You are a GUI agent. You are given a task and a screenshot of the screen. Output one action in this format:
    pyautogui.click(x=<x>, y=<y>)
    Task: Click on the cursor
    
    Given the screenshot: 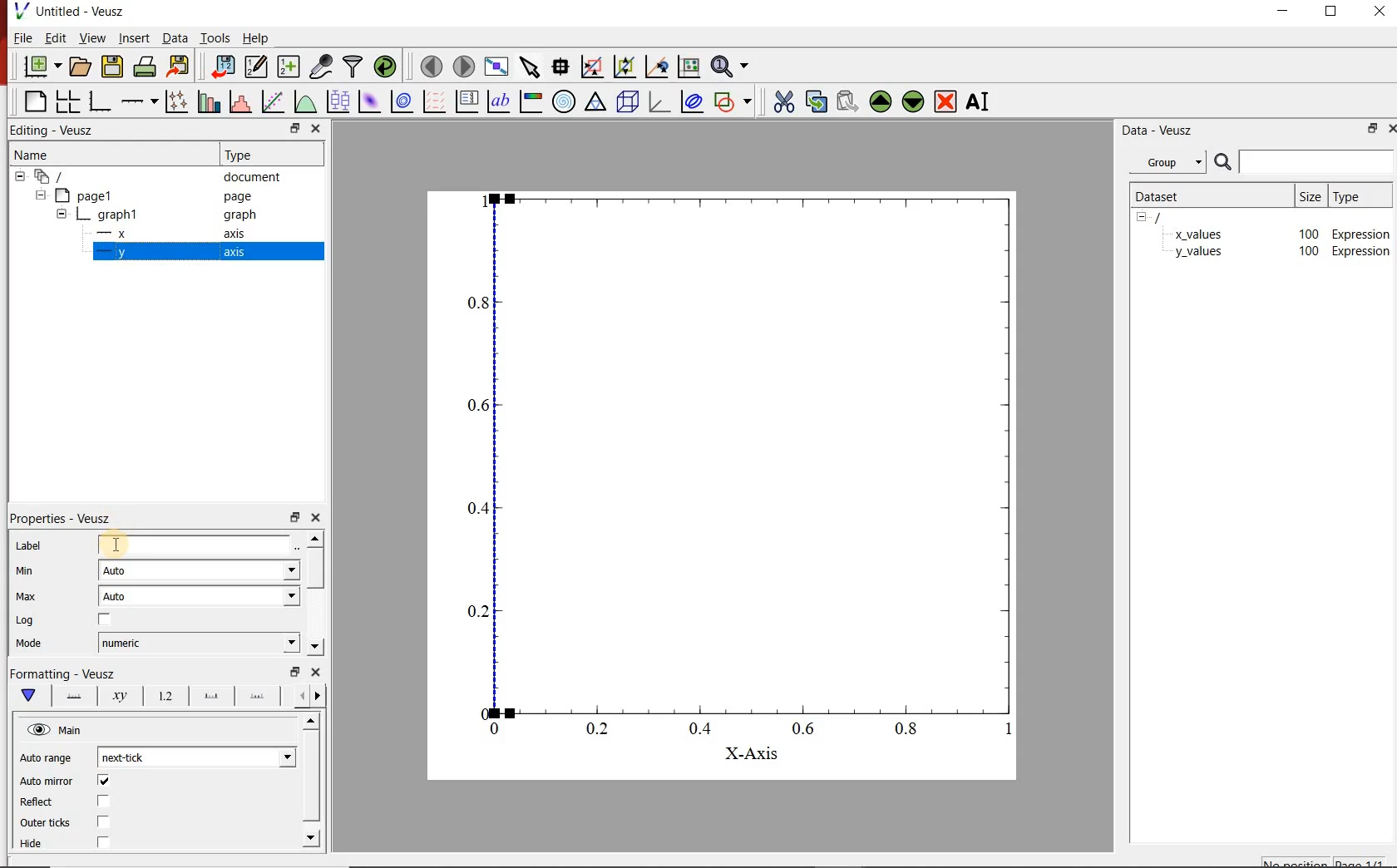 What is the action you would take?
    pyautogui.click(x=117, y=545)
    